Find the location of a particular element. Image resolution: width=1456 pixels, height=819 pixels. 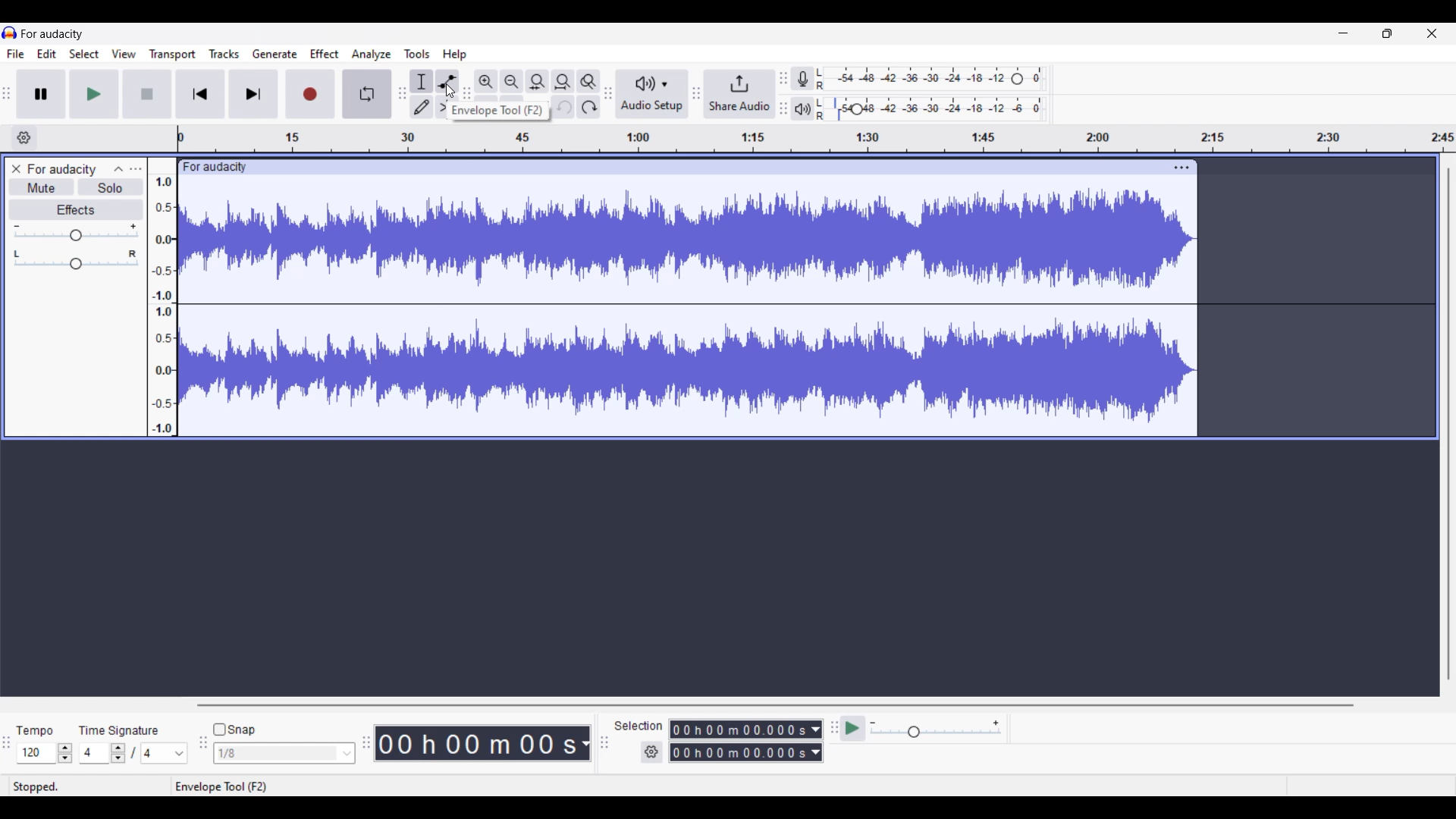

Snap options is located at coordinates (284, 754).